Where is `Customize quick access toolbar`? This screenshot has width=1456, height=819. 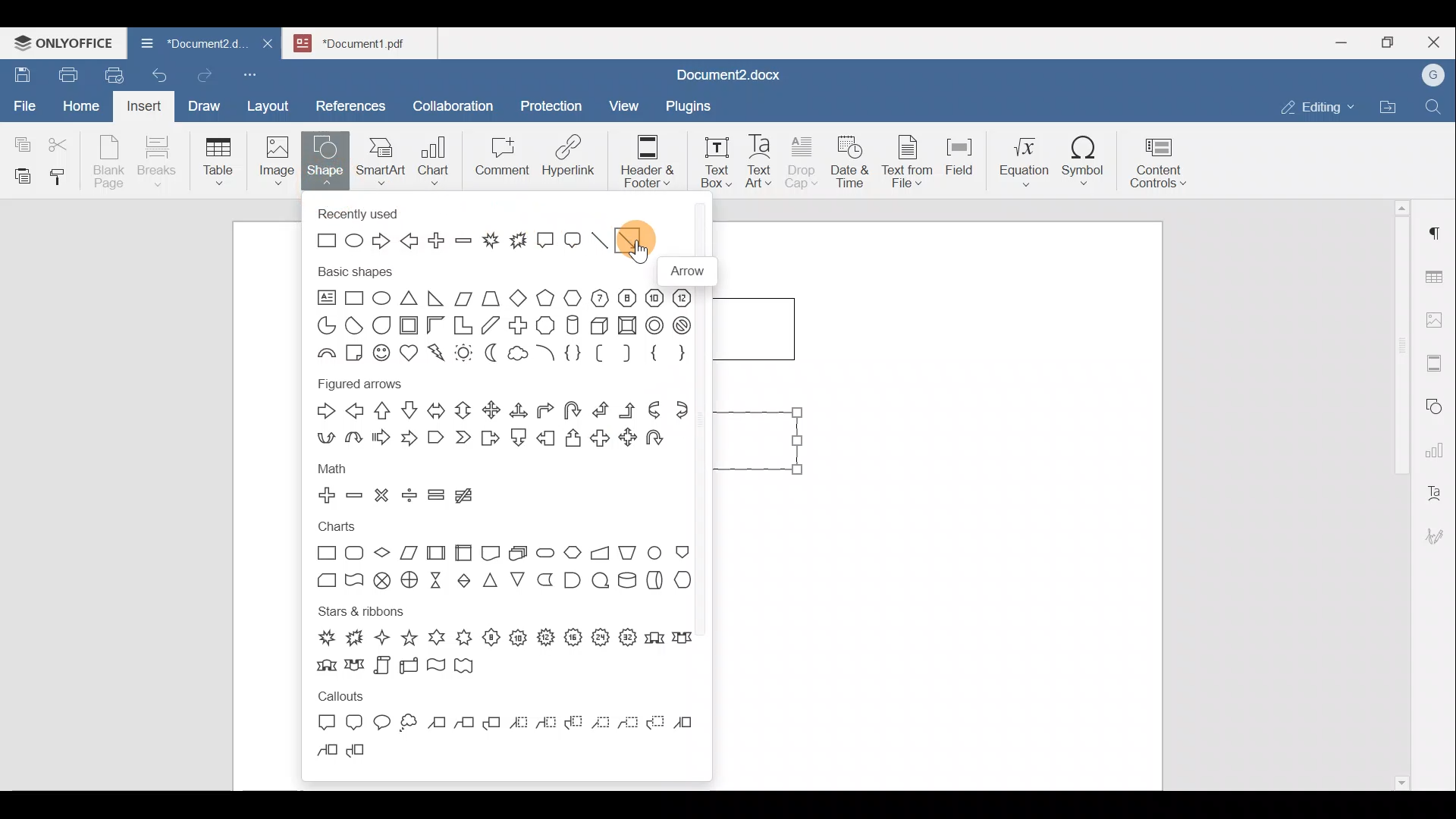
Customize quick access toolbar is located at coordinates (256, 72).